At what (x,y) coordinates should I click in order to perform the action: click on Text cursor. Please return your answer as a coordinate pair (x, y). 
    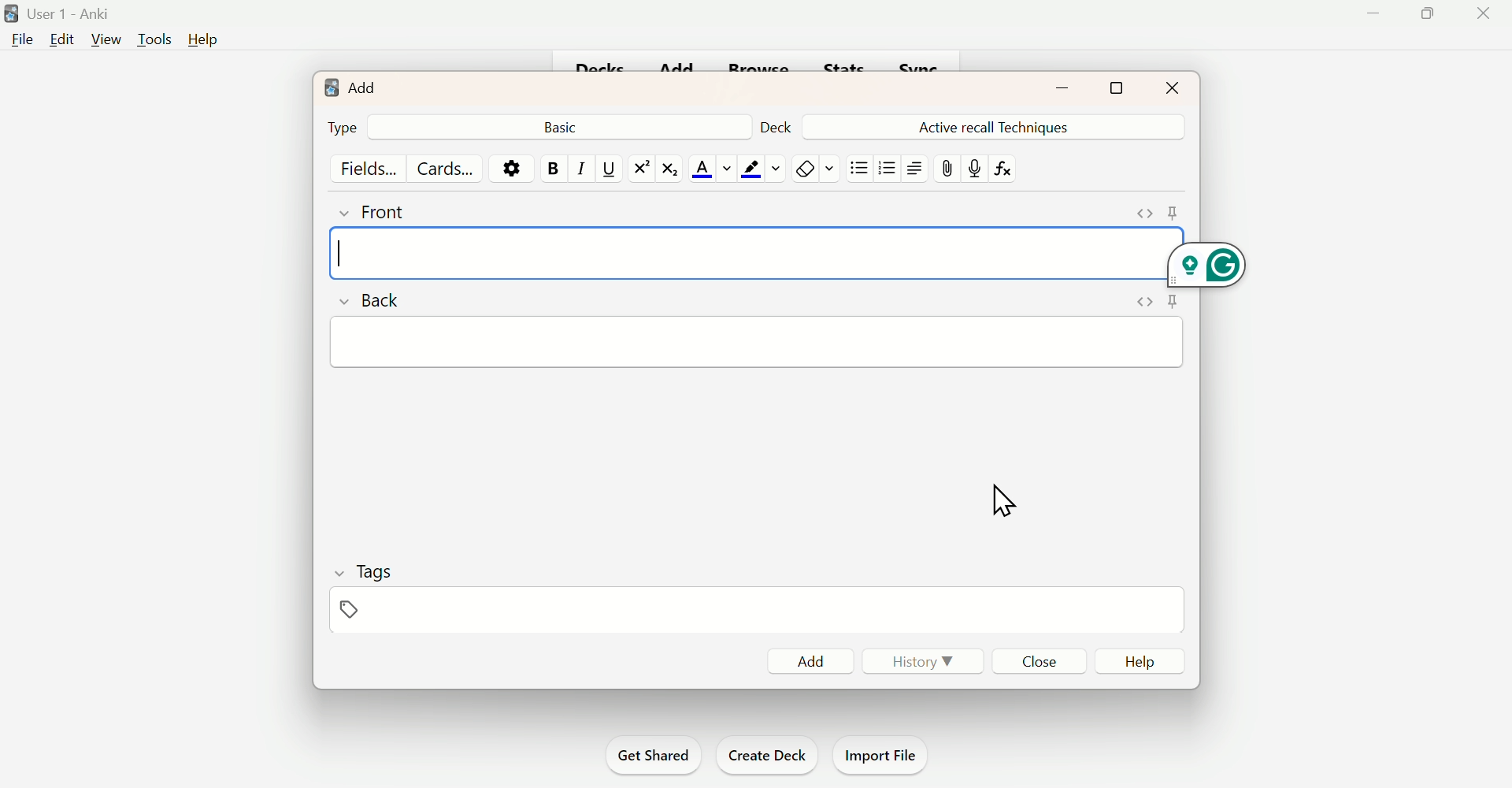
    Looking at the image, I should click on (355, 251).